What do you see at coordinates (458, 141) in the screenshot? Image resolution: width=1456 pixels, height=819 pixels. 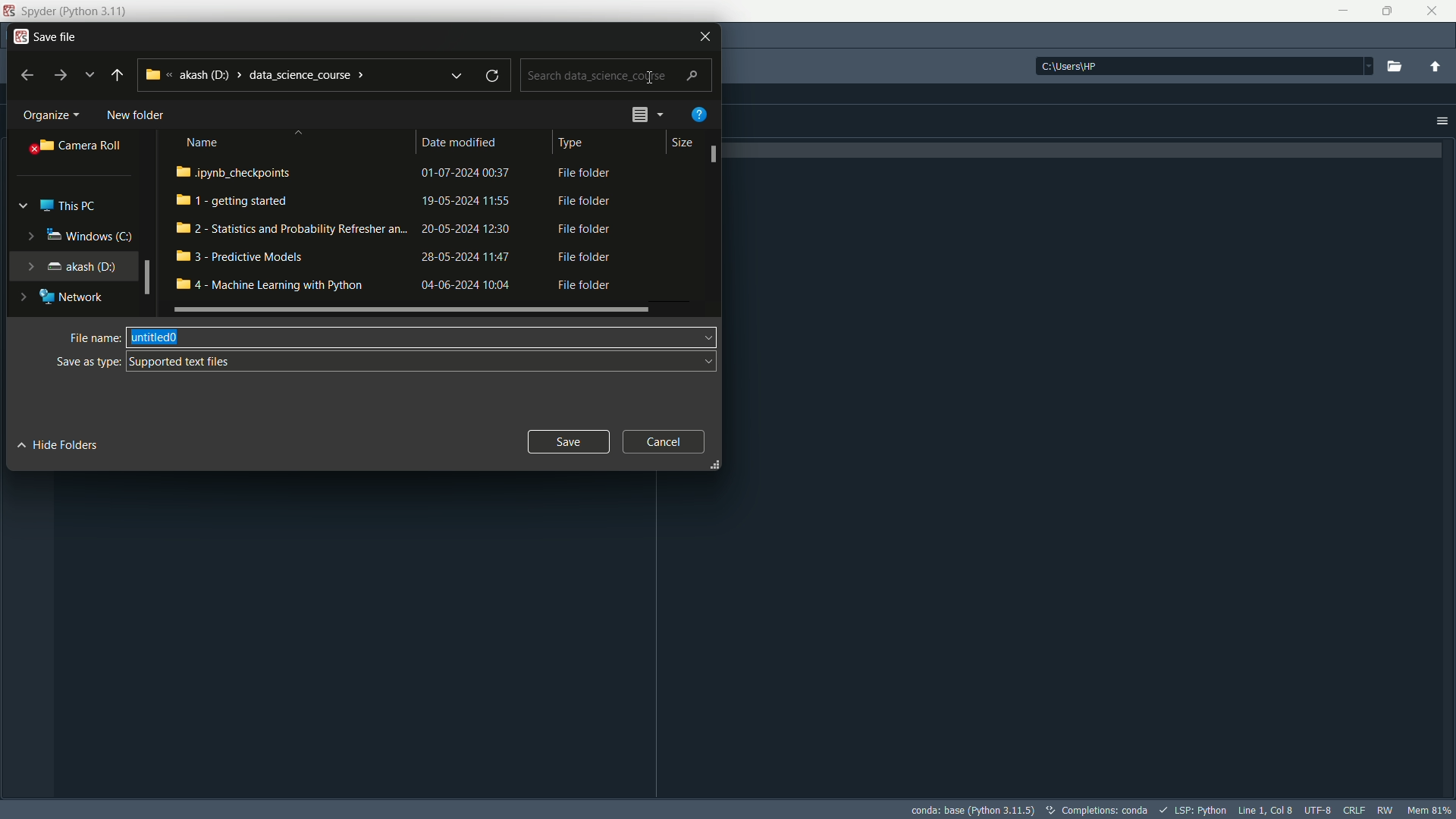 I see `data modified` at bounding box center [458, 141].